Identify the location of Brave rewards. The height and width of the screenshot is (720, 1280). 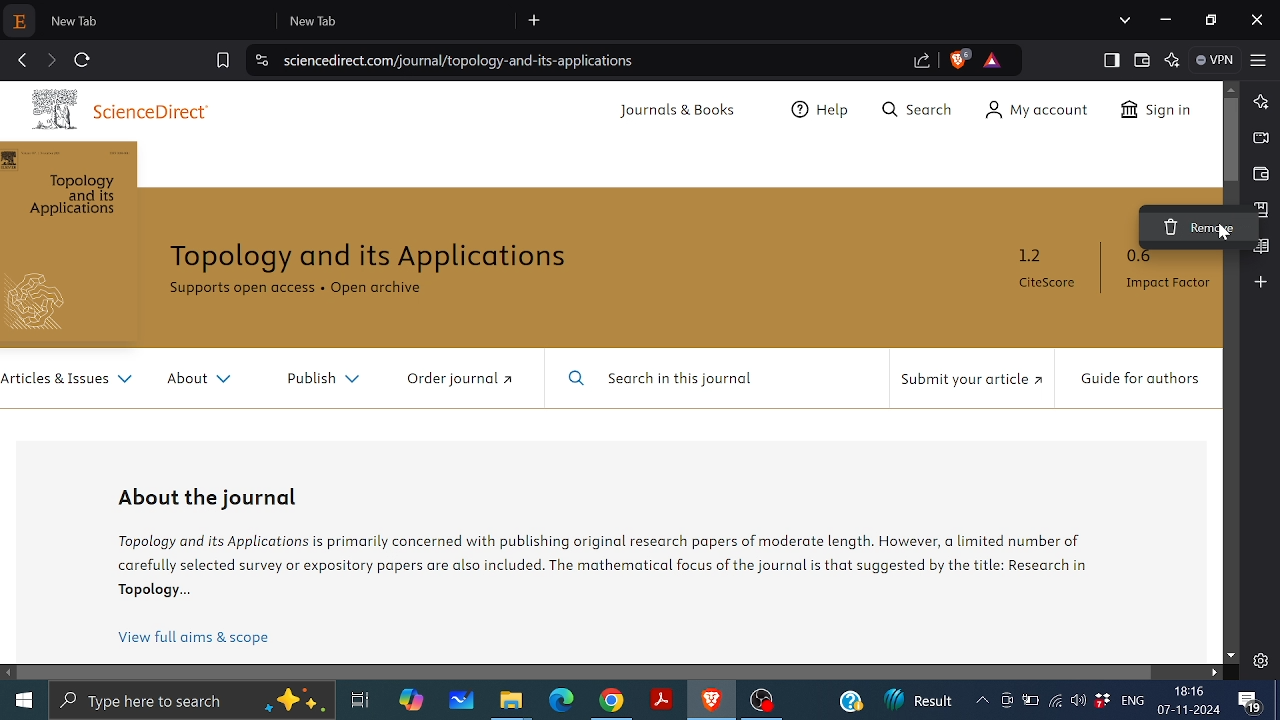
(992, 60).